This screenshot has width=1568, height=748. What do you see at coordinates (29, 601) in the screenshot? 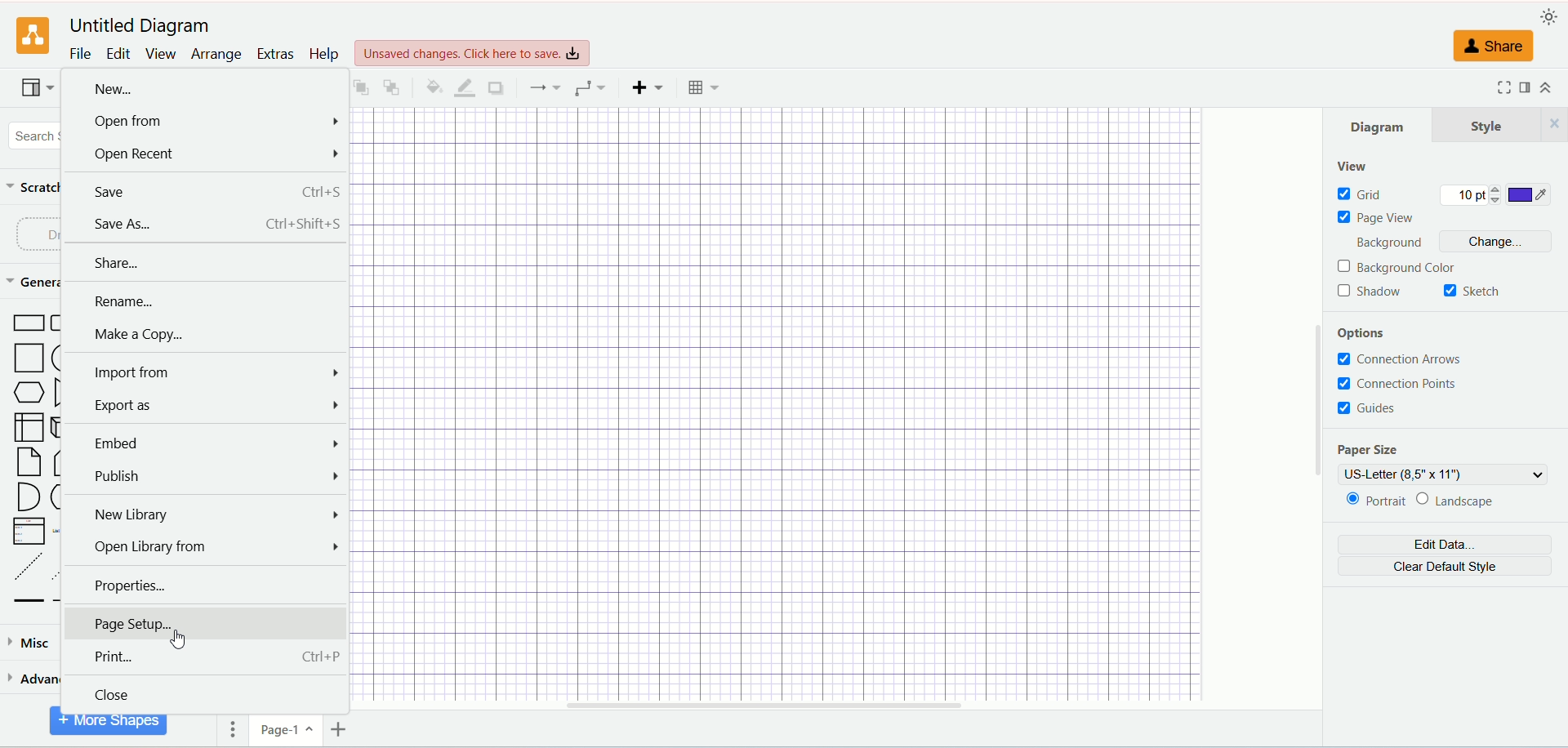
I see `Link` at bounding box center [29, 601].